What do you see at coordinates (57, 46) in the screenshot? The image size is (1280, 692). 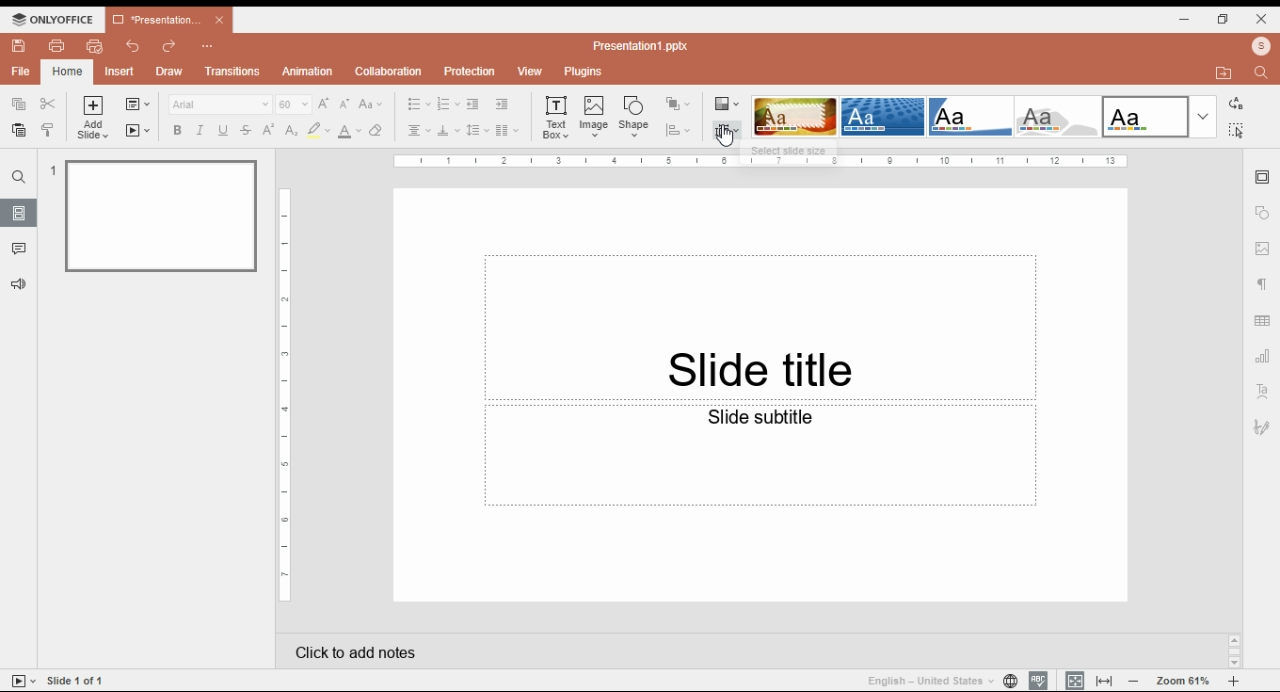 I see `print file` at bounding box center [57, 46].